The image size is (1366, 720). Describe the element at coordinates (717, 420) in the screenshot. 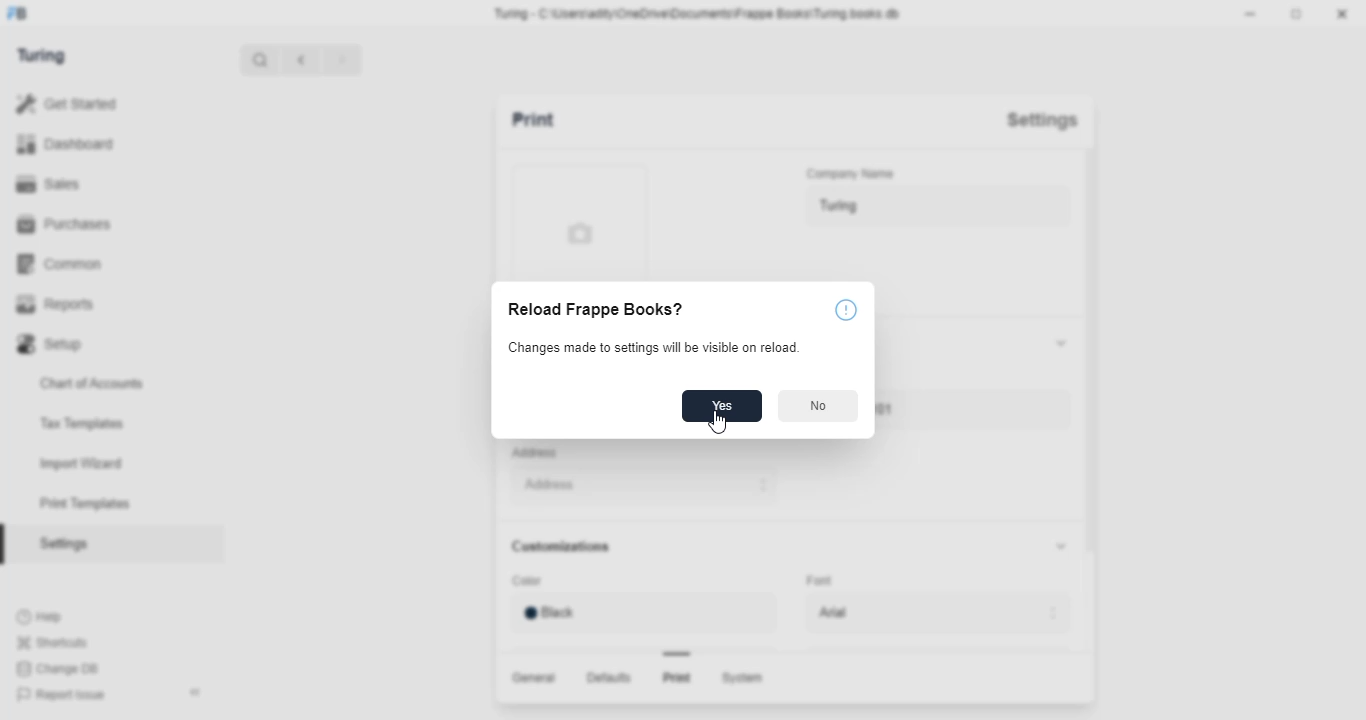

I see `cursor` at that location.